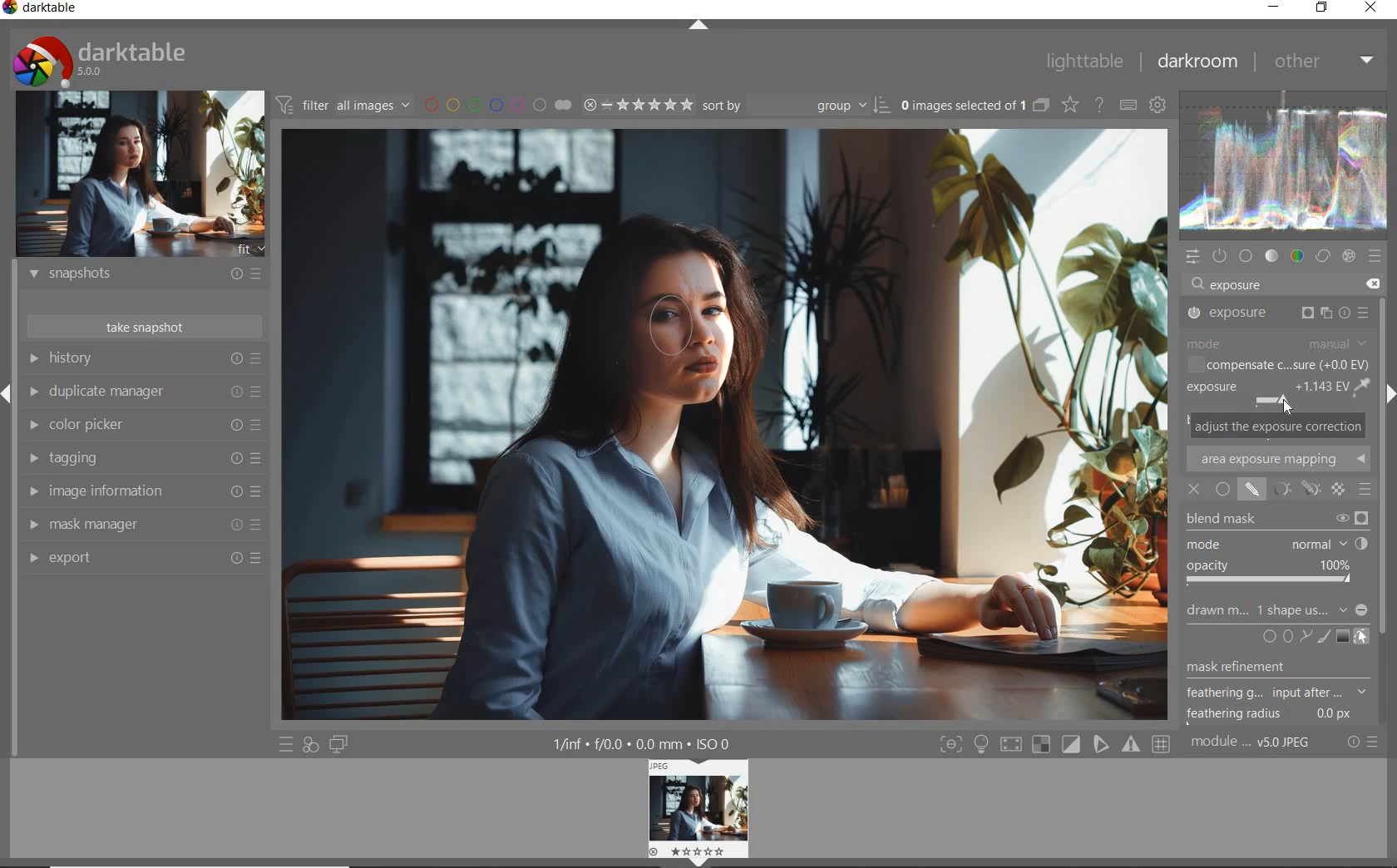  Describe the element at coordinates (1349, 256) in the screenshot. I see `effect` at that location.